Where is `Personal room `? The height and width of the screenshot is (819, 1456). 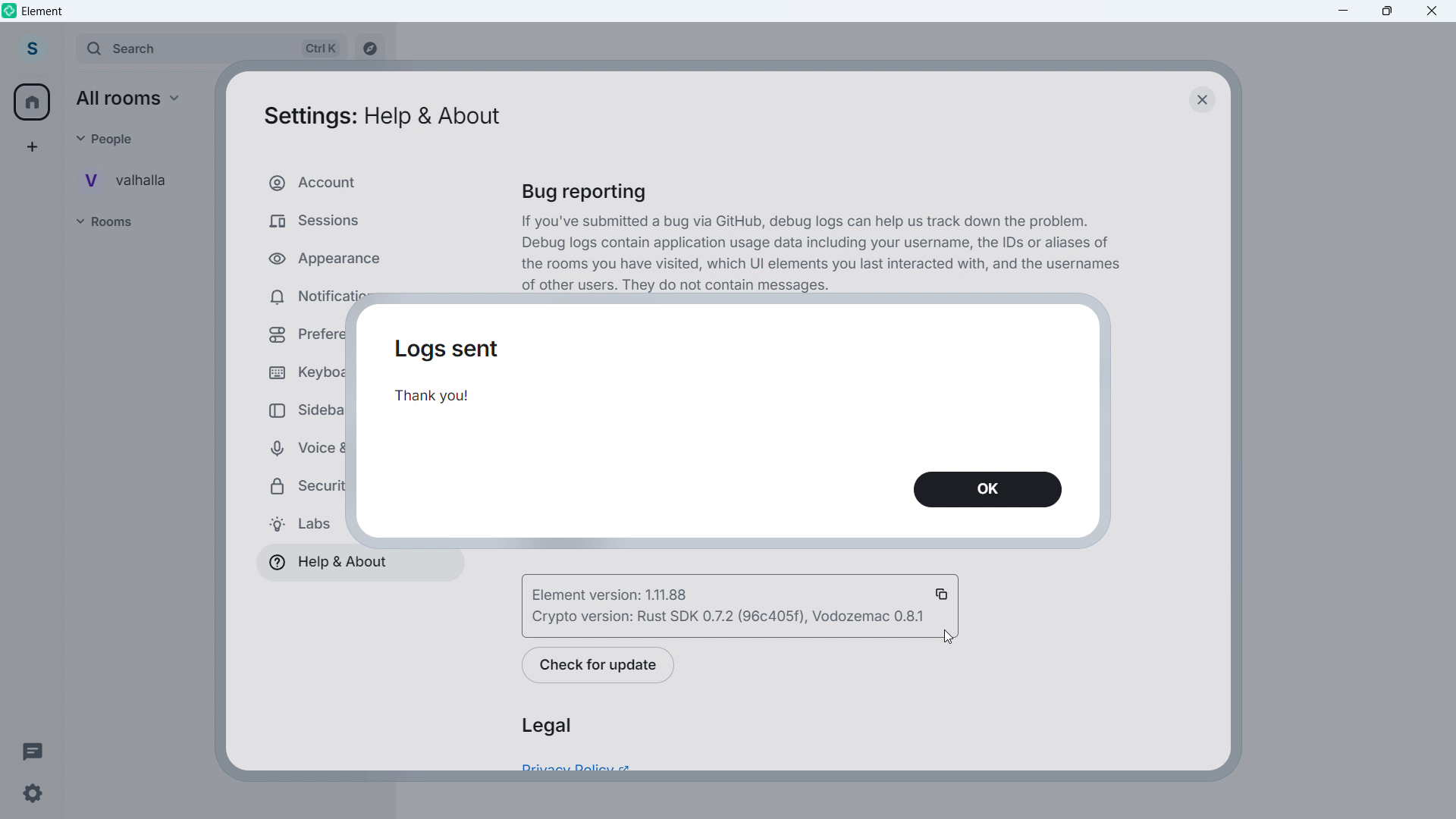
Personal room  is located at coordinates (133, 180).